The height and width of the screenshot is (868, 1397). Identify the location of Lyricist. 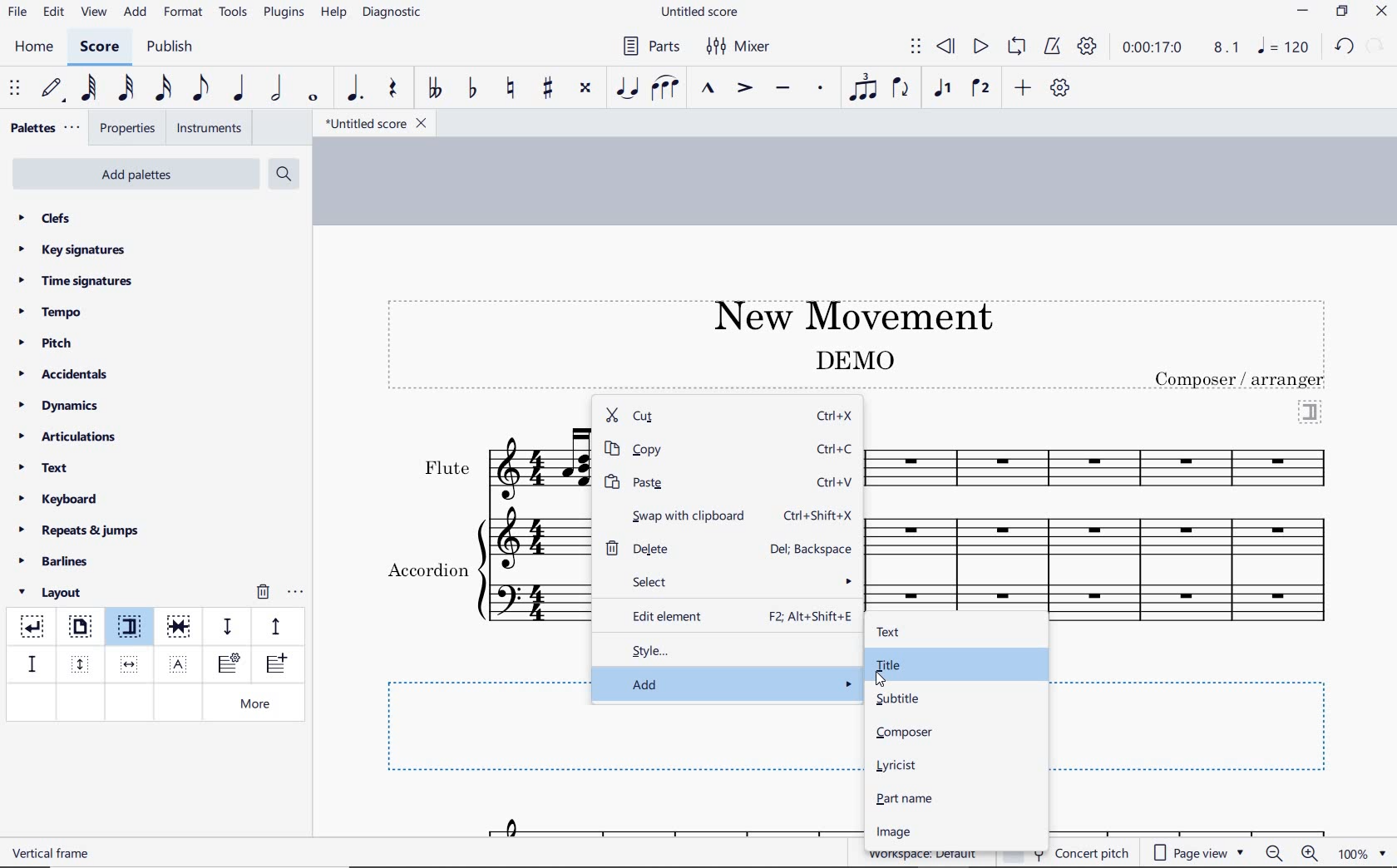
(900, 766).